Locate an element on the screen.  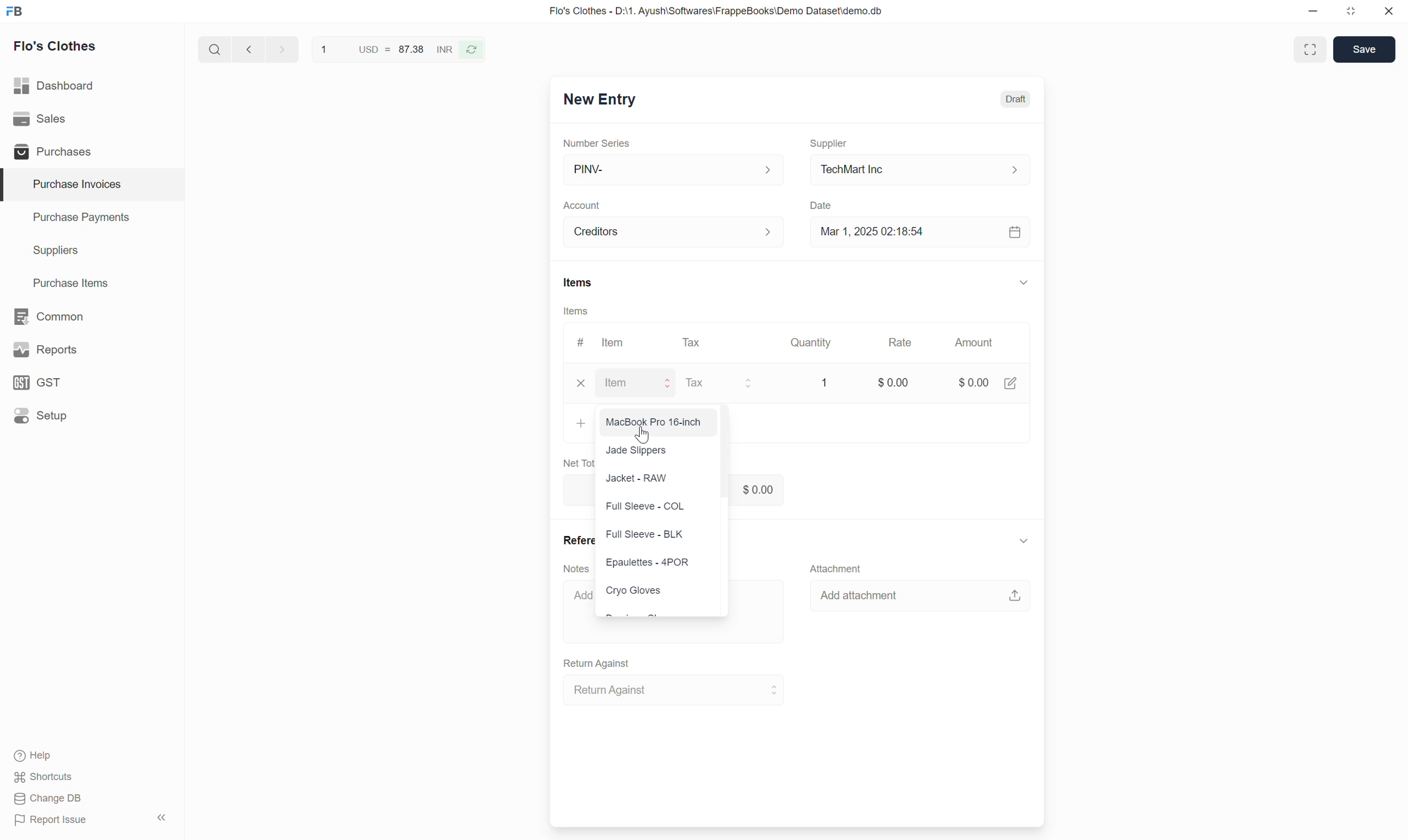
Return Against is located at coordinates (597, 664).